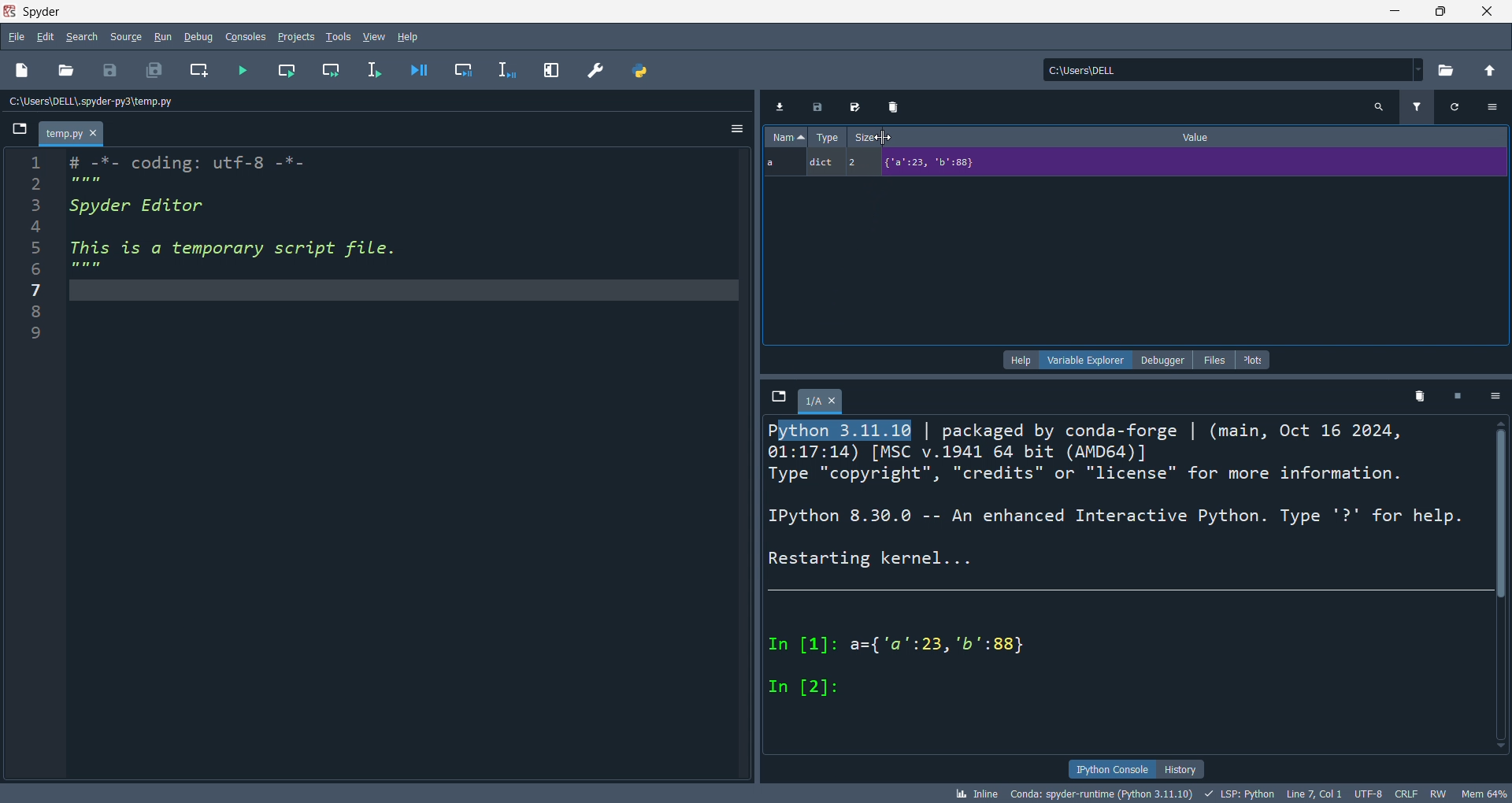 The height and width of the screenshot is (803, 1512). I want to click on preferences, so click(593, 67).